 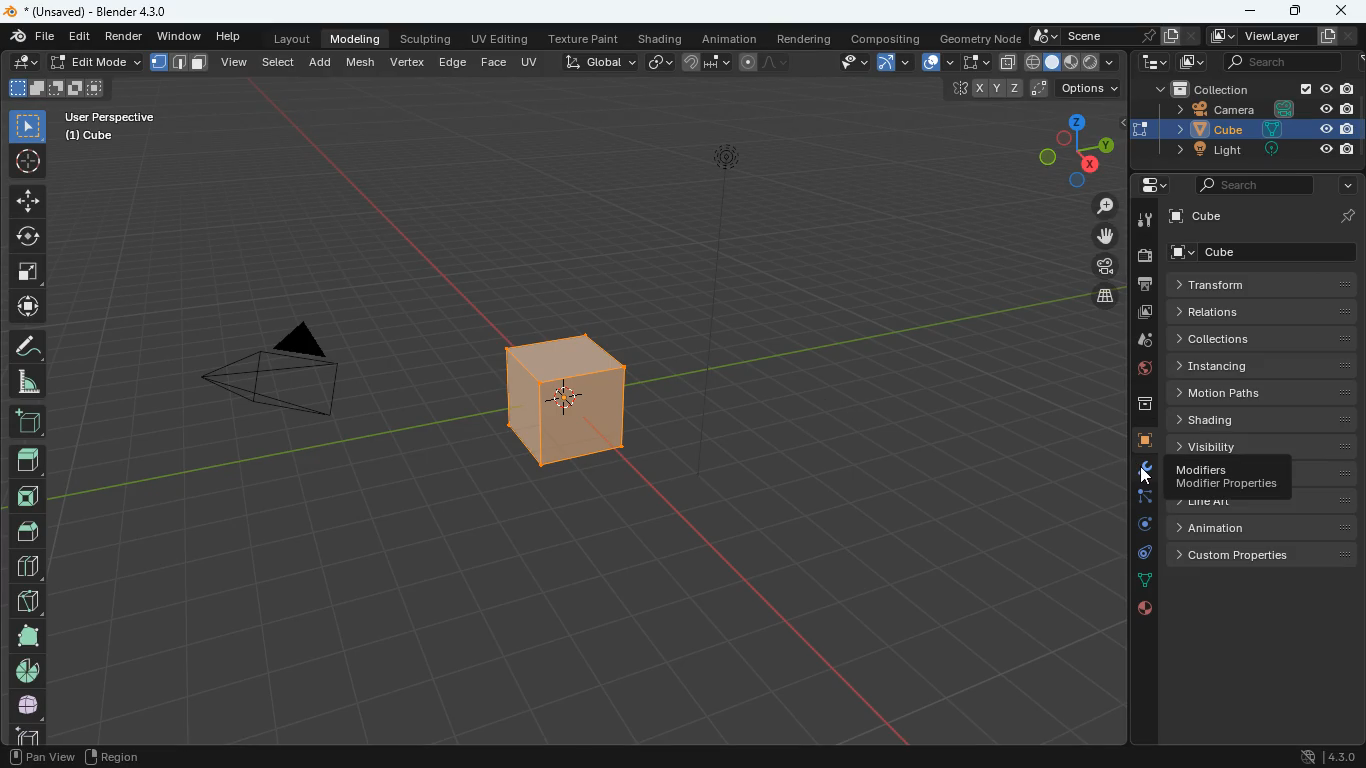 I want to click on camera, so click(x=1247, y=109).